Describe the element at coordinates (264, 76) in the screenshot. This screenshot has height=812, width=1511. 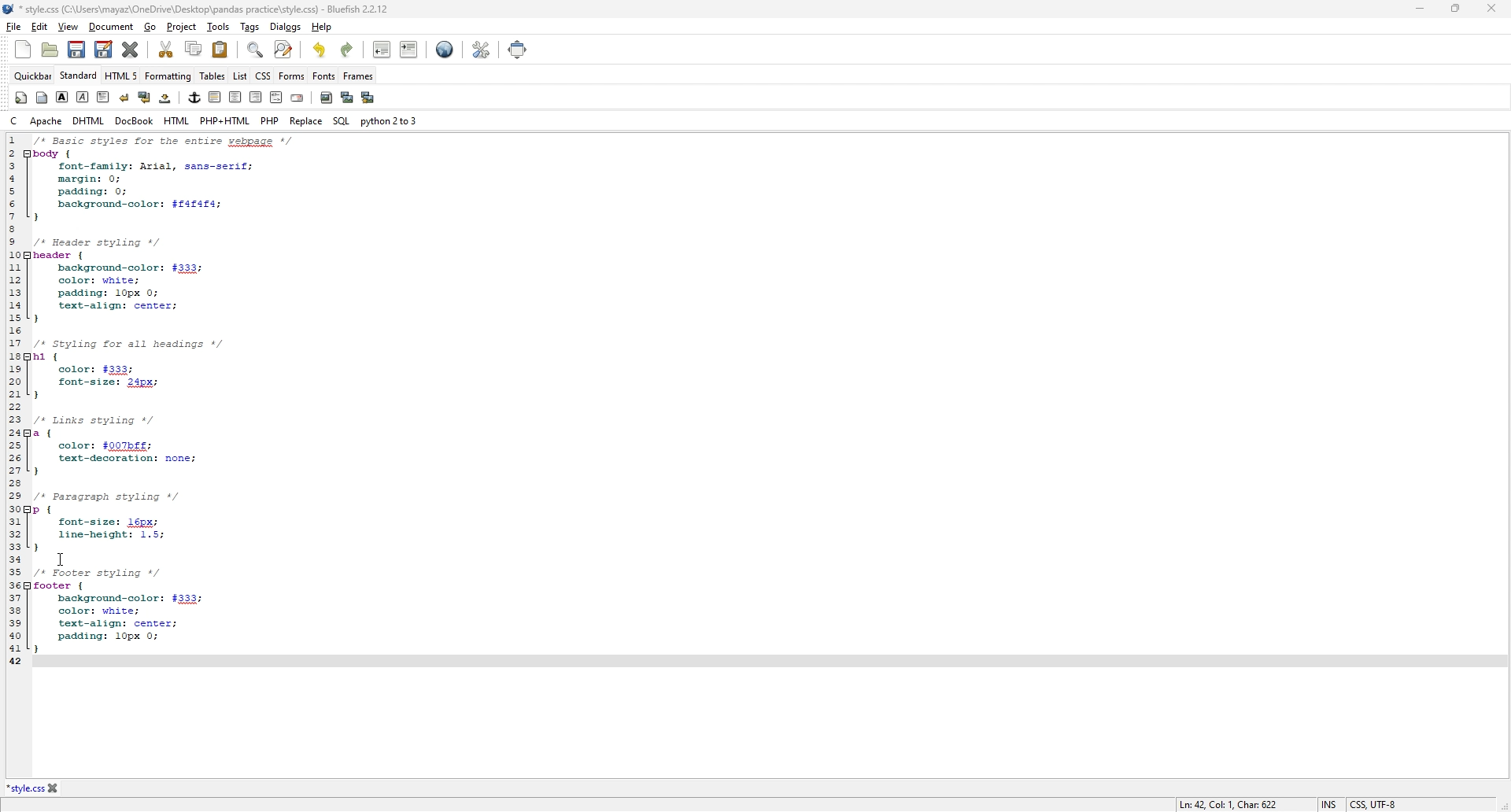
I see `CSS` at that location.